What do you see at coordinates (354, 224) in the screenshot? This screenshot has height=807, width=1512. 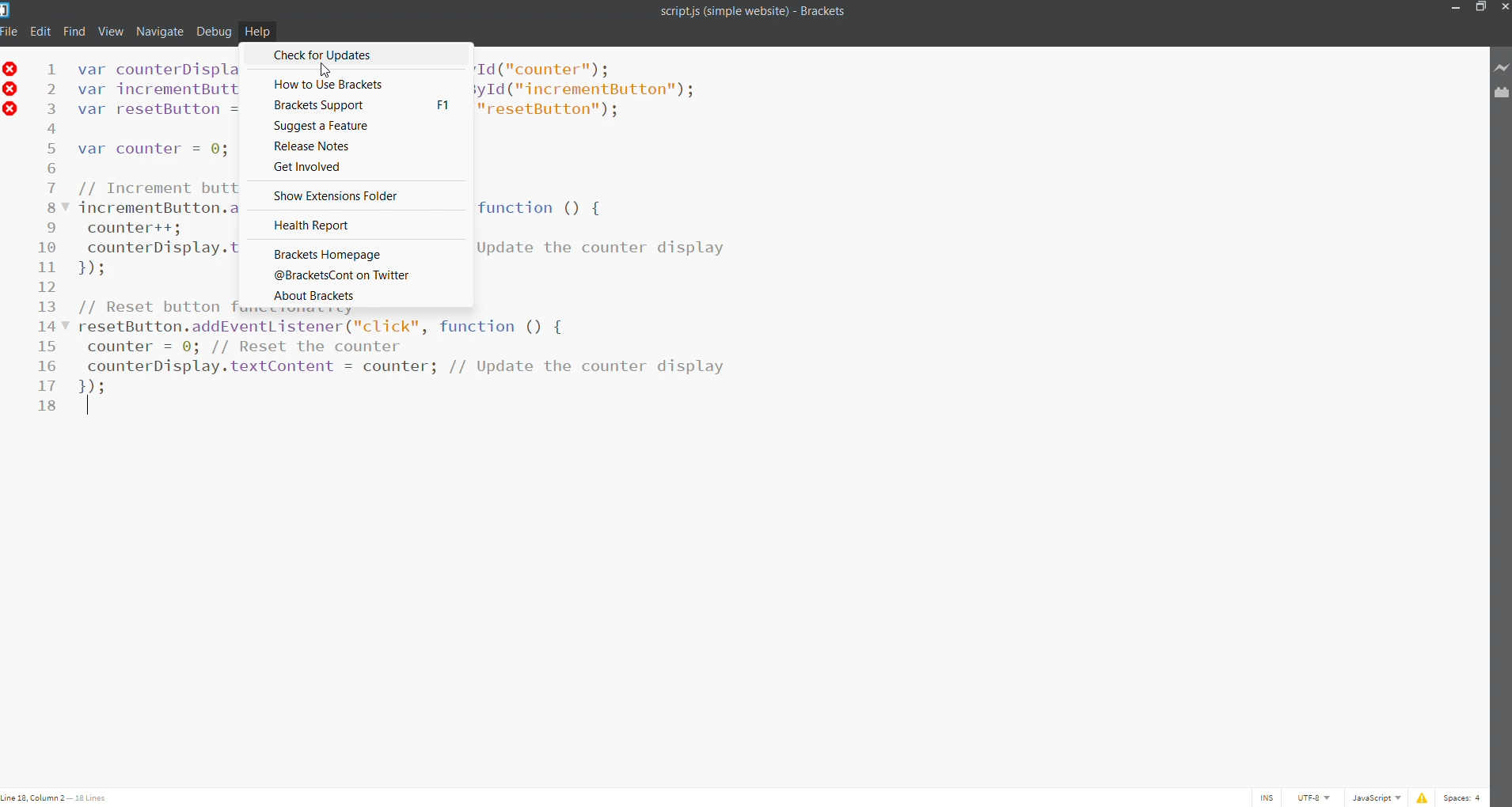 I see `health report` at bounding box center [354, 224].